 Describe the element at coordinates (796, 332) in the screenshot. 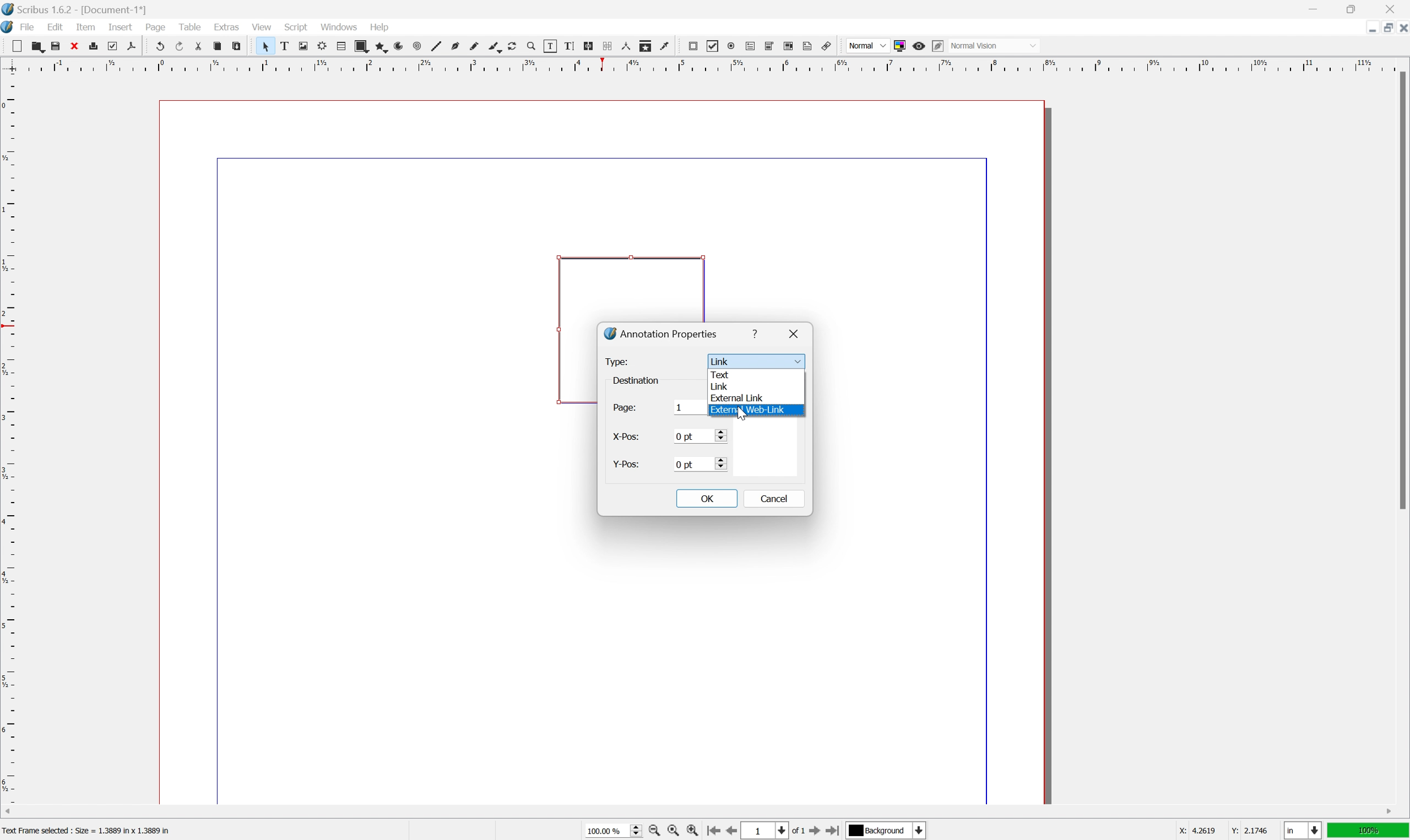

I see `close` at that location.